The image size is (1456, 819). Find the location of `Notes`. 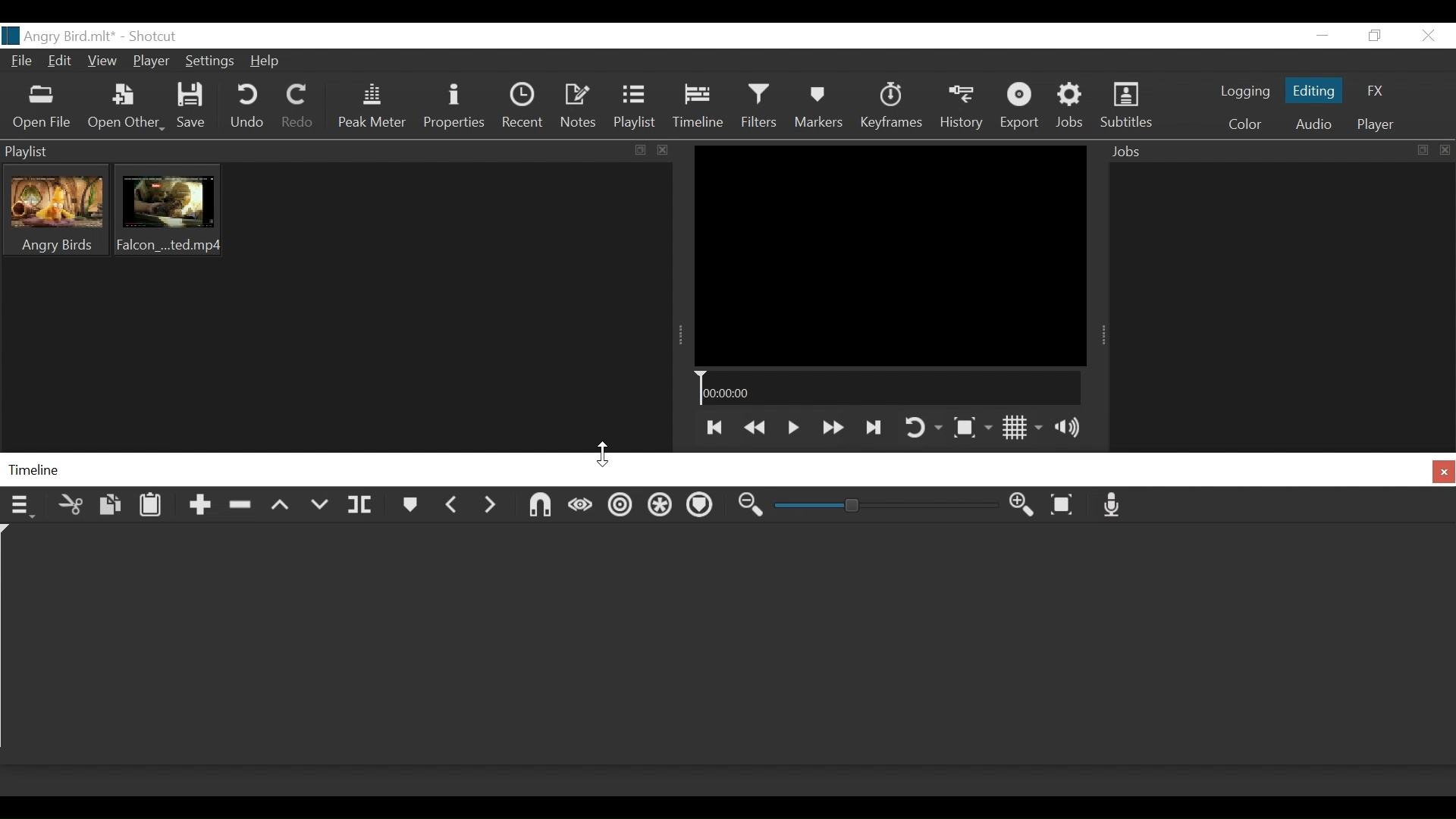

Notes is located at coordinates (577, 108).